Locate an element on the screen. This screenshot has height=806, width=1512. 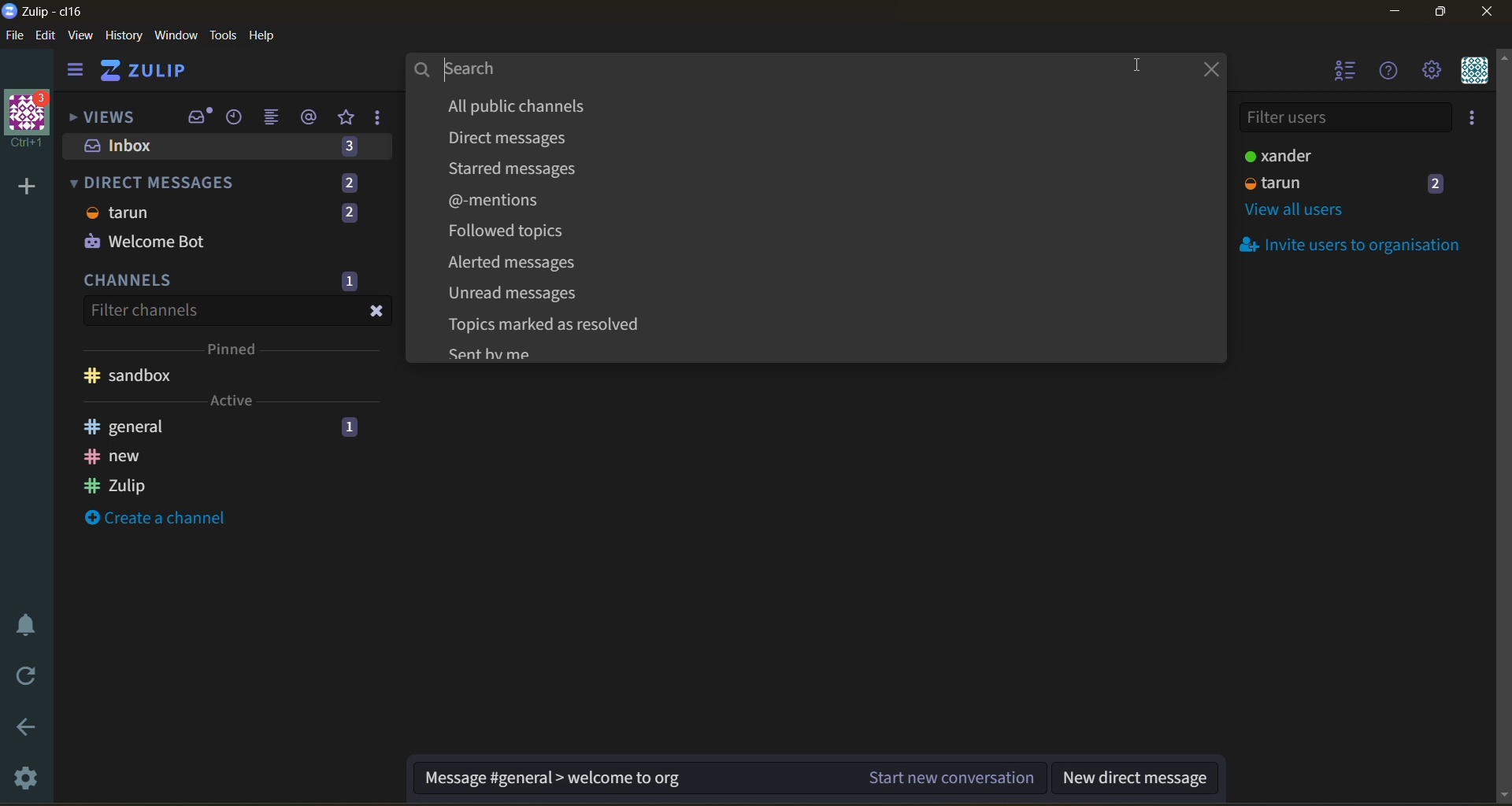
organisation  Ctrl+1 is located at coordinates (31, 121).